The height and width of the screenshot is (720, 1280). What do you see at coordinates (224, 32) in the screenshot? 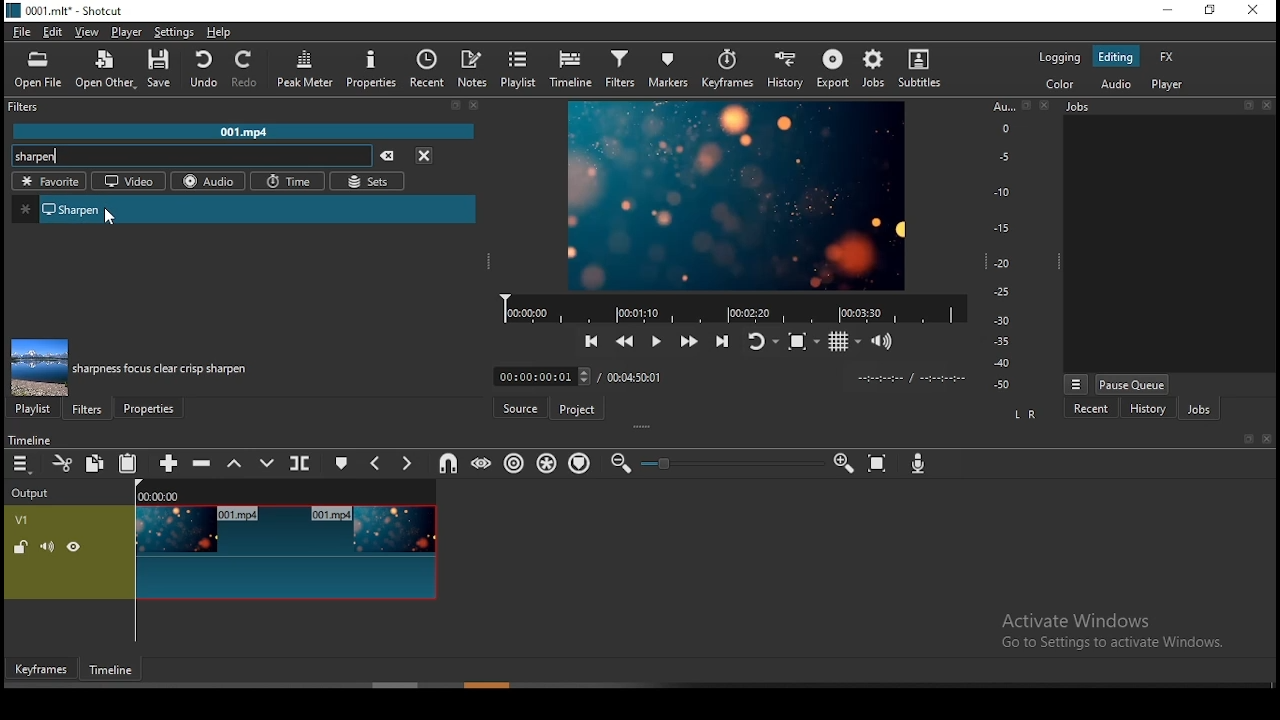
I see `help` at bounding box center [224, 32].